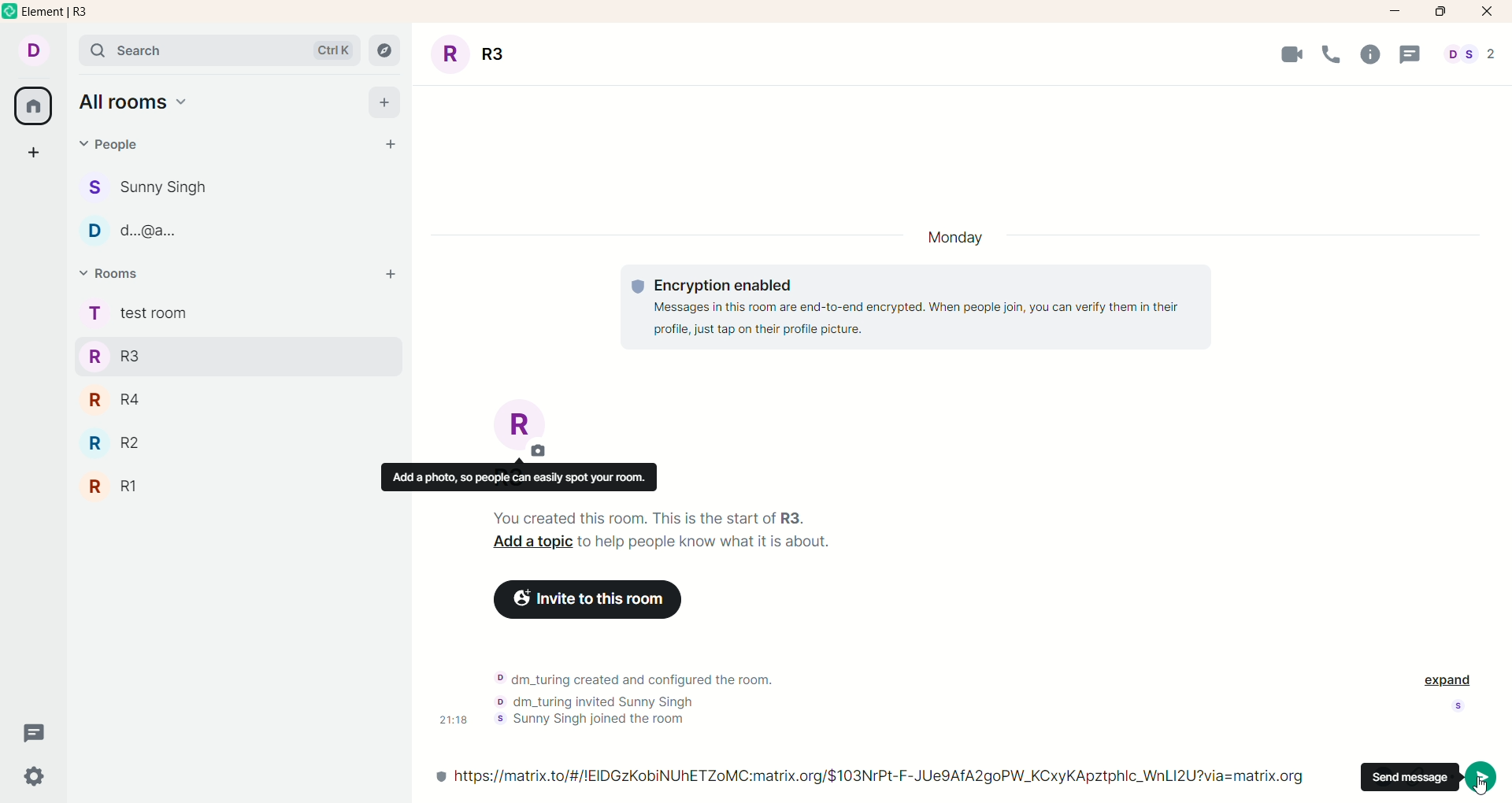 The width and height of the screenshot is (1512, 803). I want to click on add, so click(386, 105).